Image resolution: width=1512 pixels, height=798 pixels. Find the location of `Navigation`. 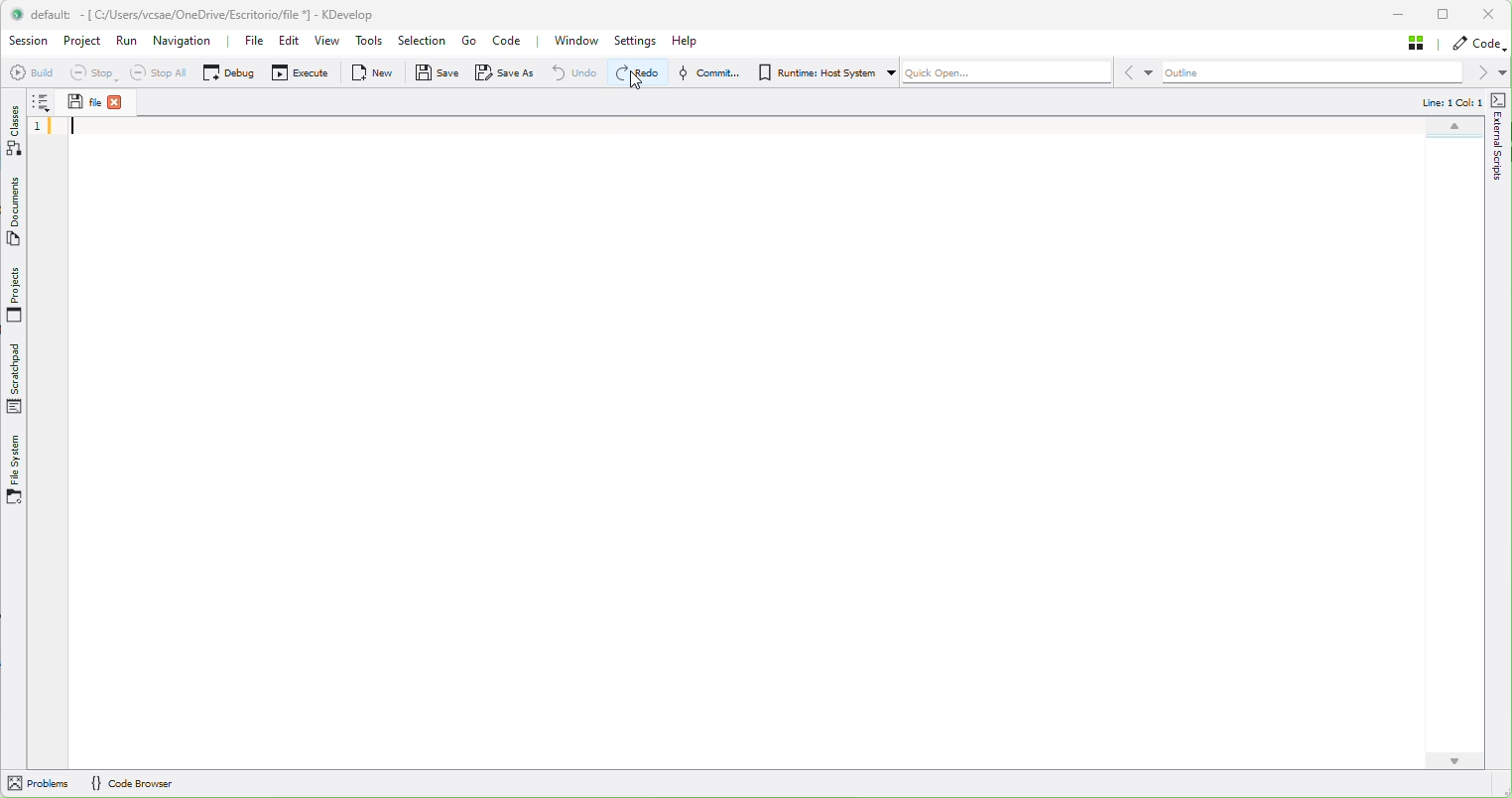

Navigation is located at coordinates (188, 40).